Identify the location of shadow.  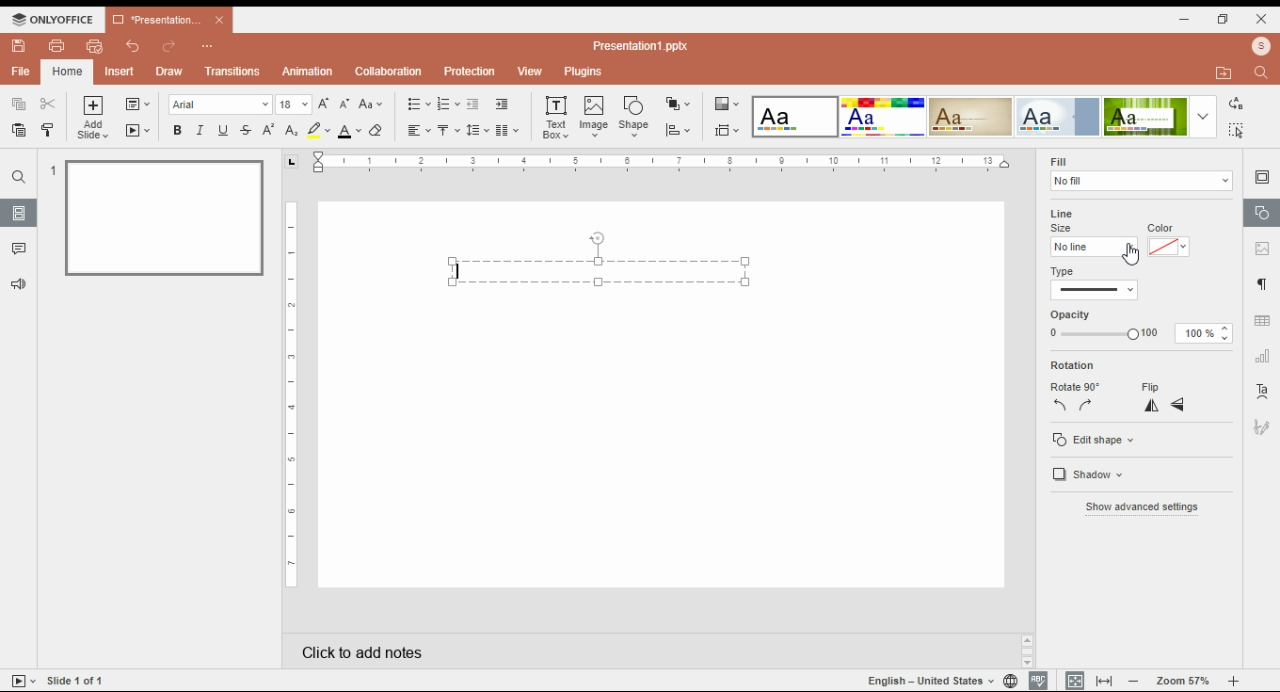
(1098, 474).